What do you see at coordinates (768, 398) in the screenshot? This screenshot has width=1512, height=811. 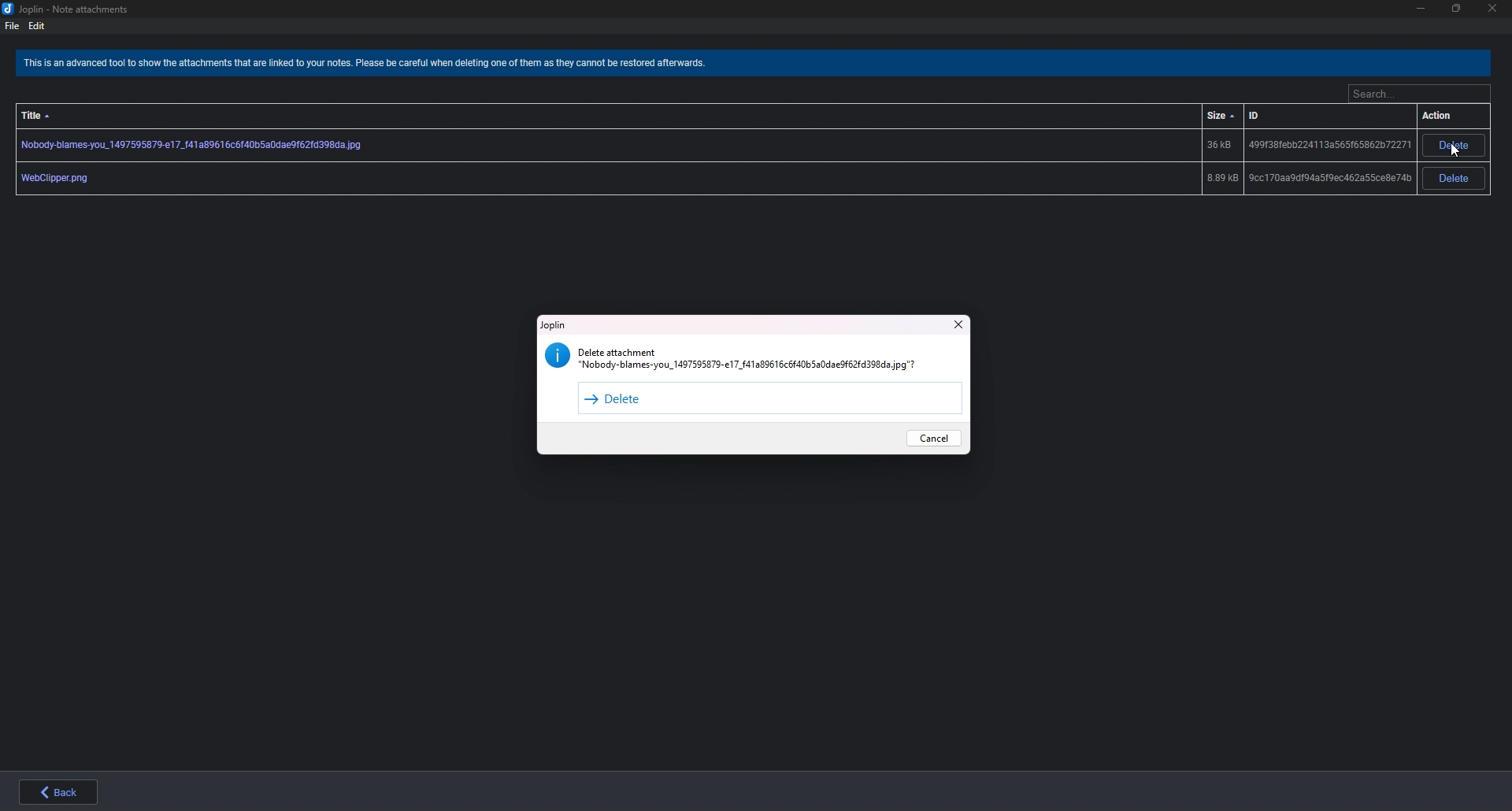 I see `Delete` at bounding box center [768, 398].